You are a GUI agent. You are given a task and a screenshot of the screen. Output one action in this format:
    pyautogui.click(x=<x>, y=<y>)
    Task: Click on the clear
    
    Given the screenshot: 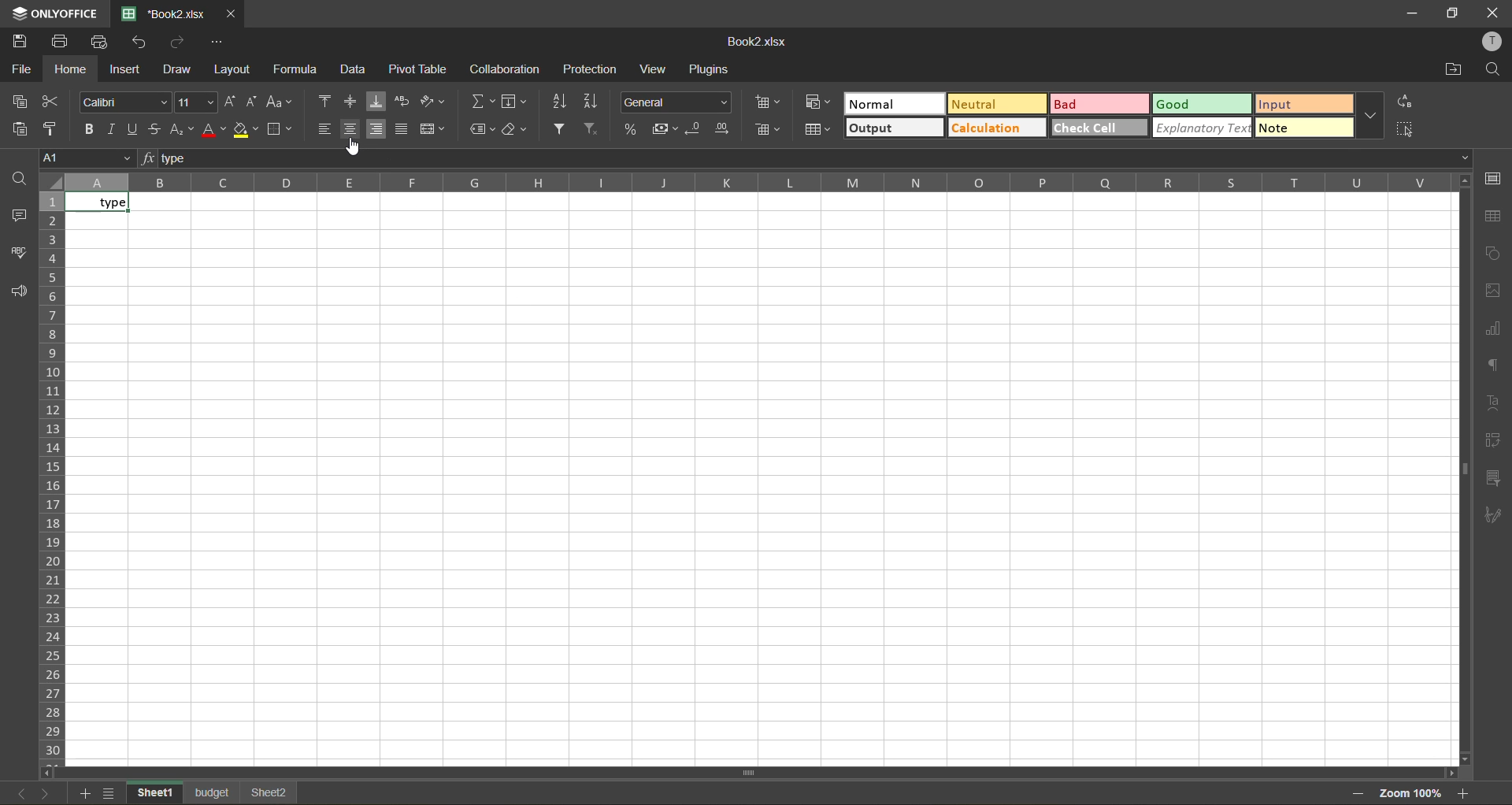 What is the action you would take?
    pyautogui.click(x=514, y=132)
    